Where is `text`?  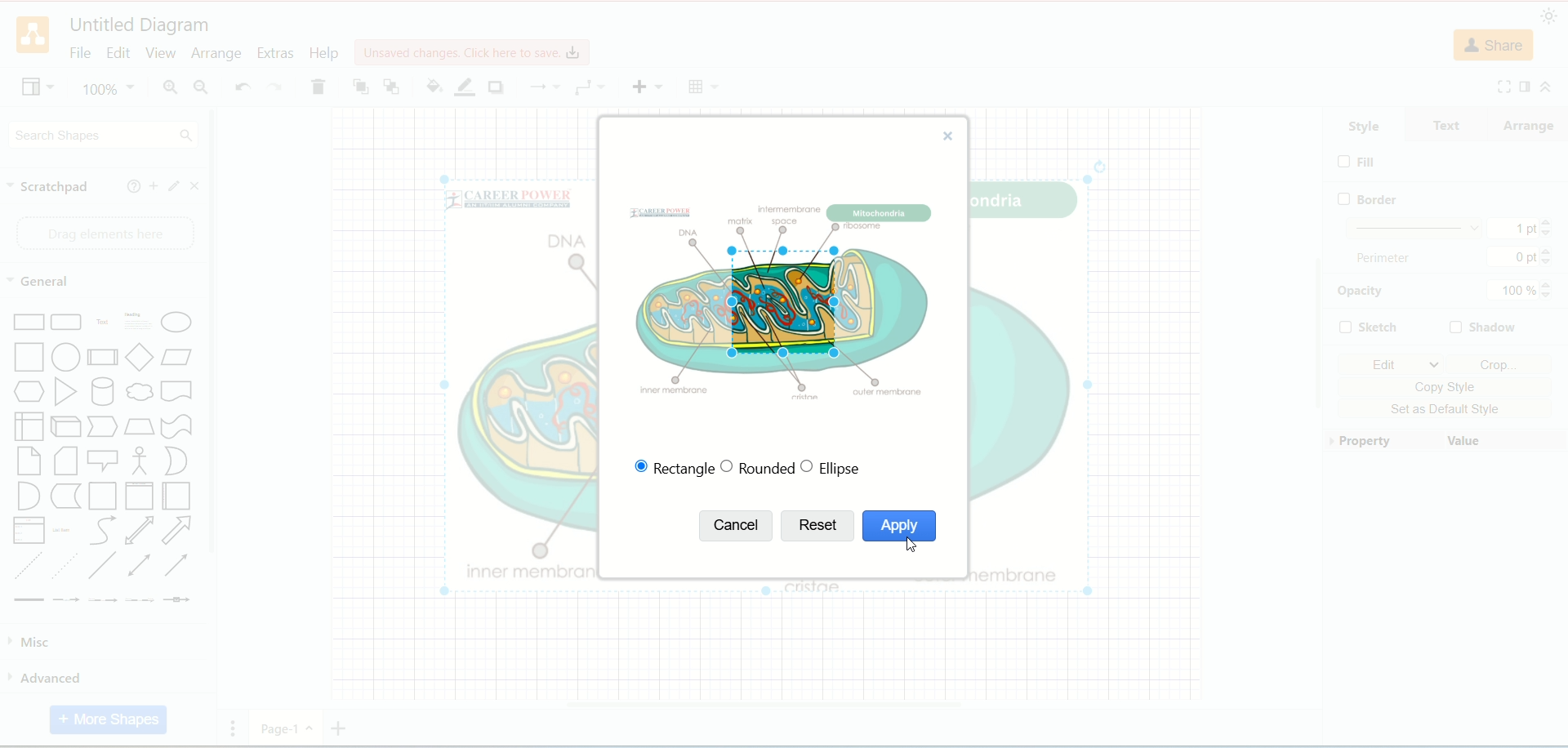 text is located at coordinates (1454, 124).